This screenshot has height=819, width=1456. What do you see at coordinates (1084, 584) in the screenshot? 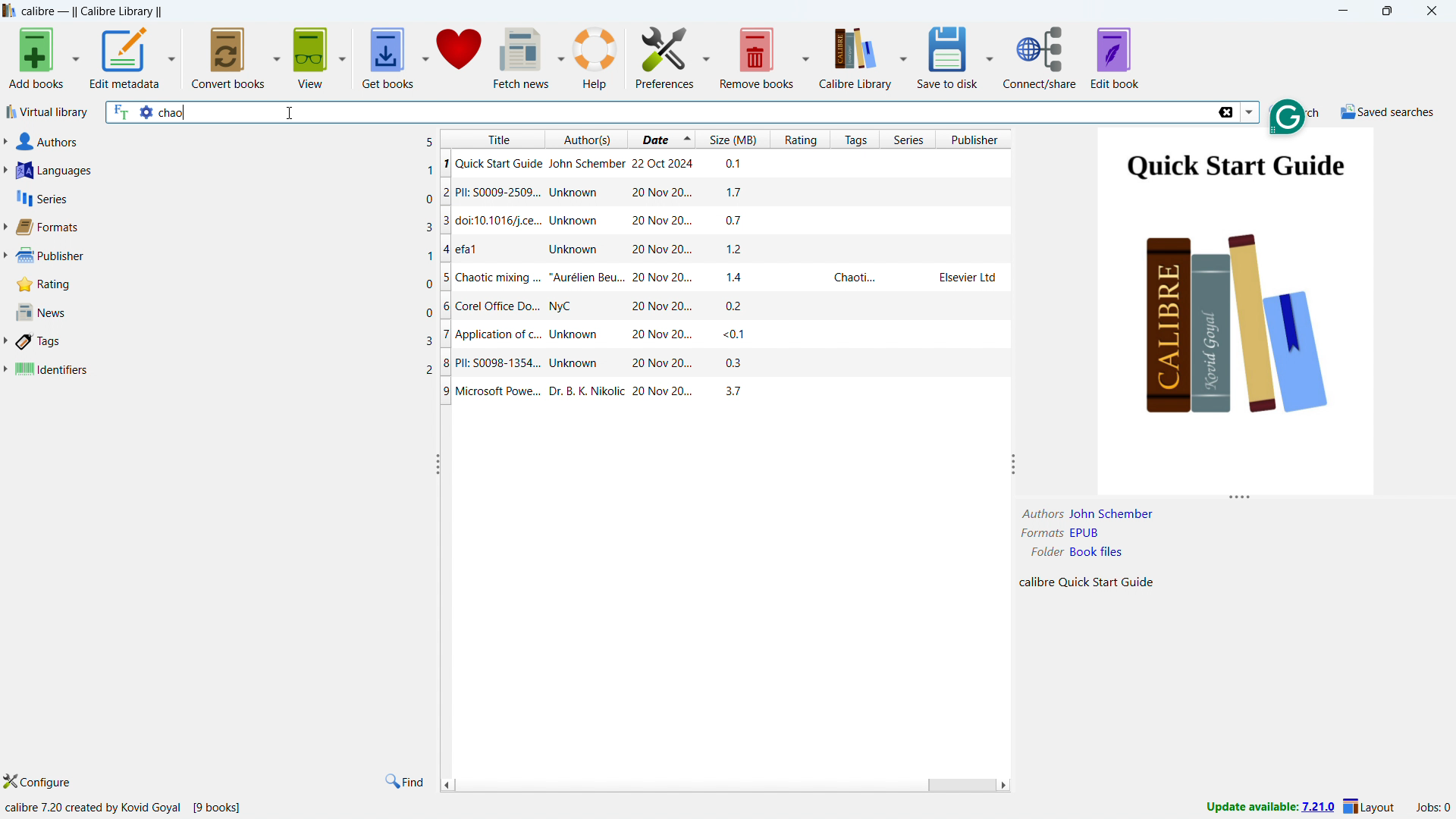
I see `Calibre Quick Start Guide` at bounding box center [1084, 584].